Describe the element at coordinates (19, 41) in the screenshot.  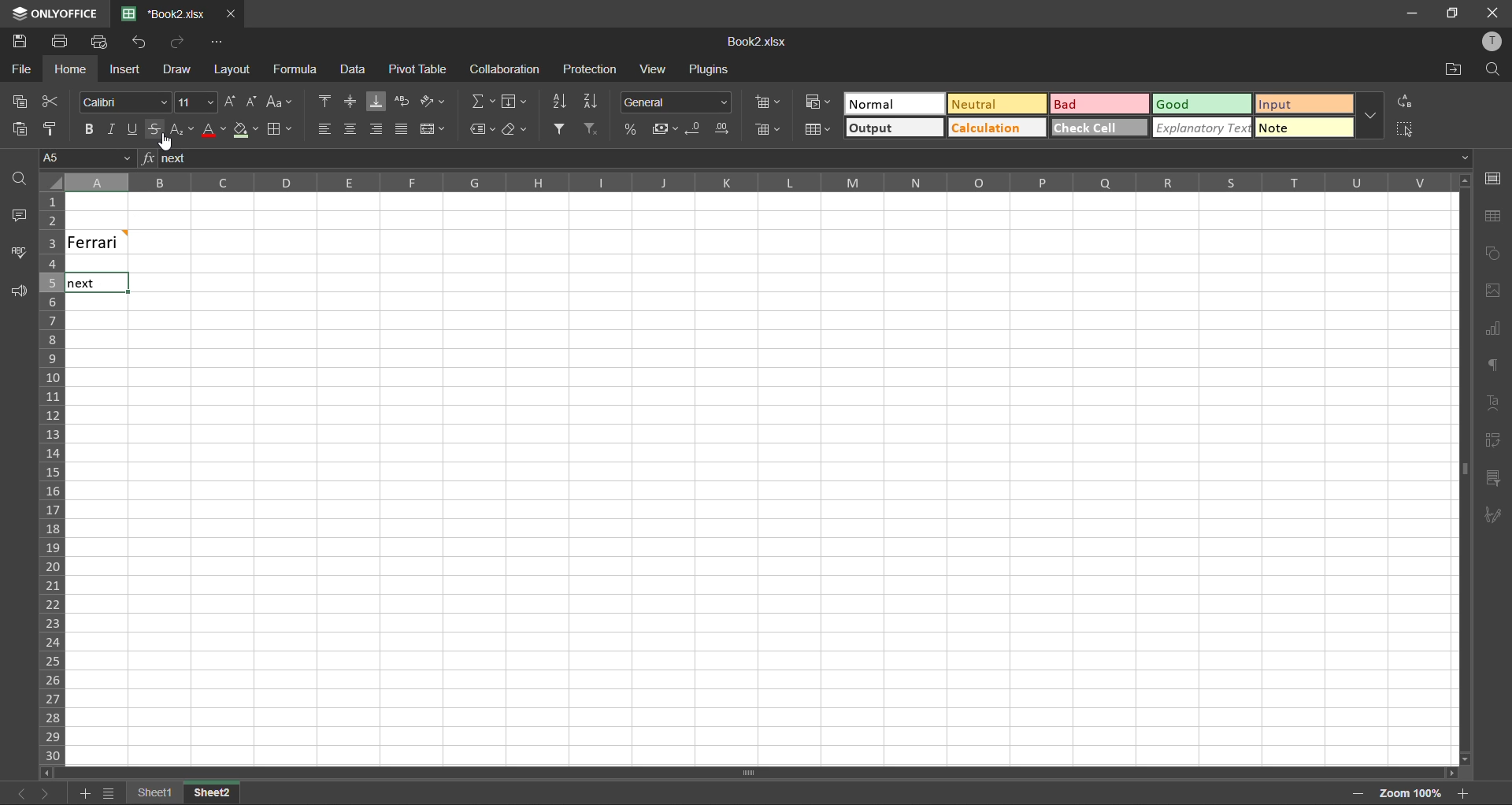
I see `save` at that location.